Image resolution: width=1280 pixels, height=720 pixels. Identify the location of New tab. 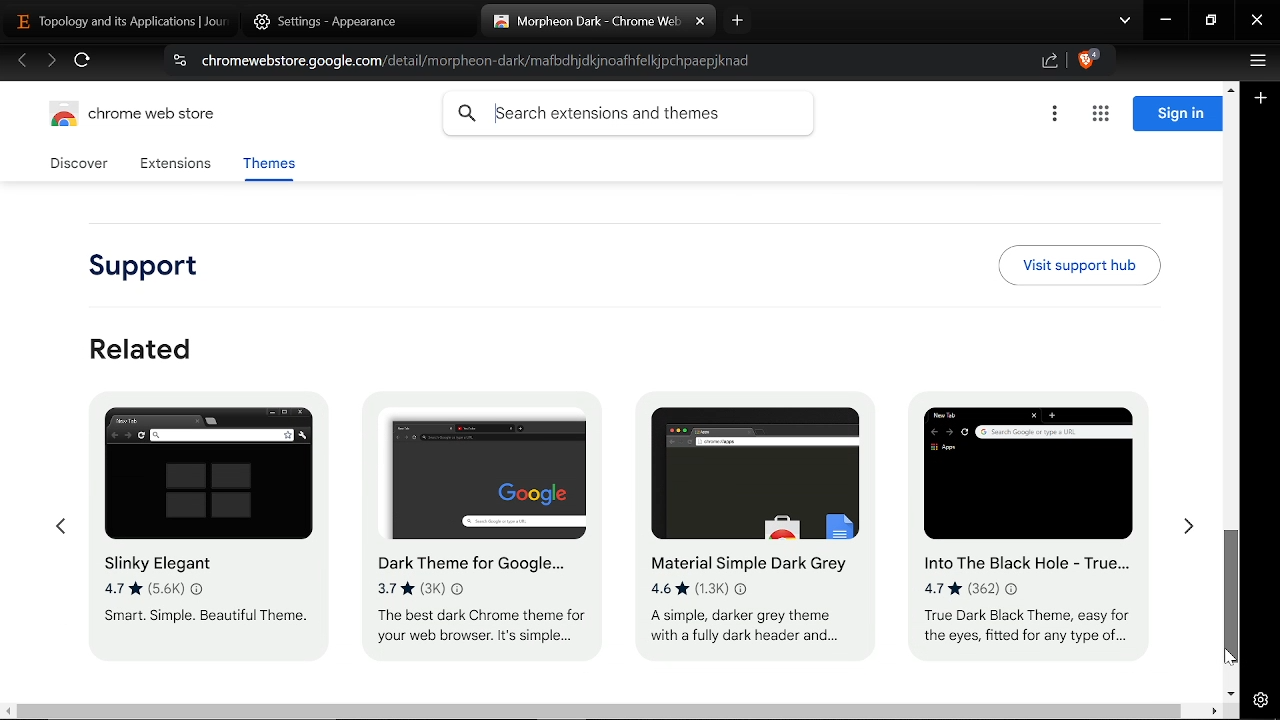
(738, 20).